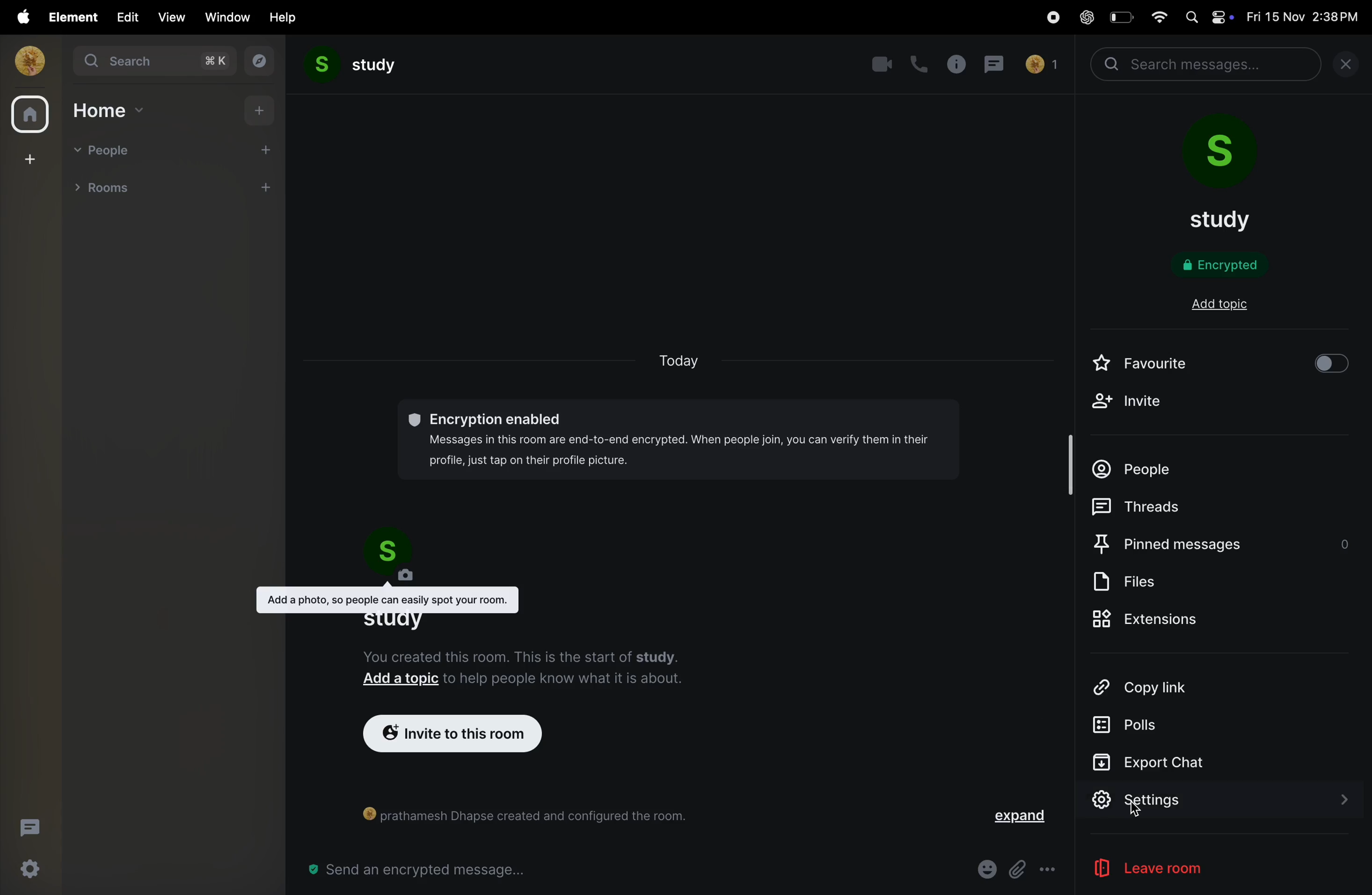  What do you see at coordinates (29, 826) in the screenshot?
I see `threads ` at bounding box center [29, 826].